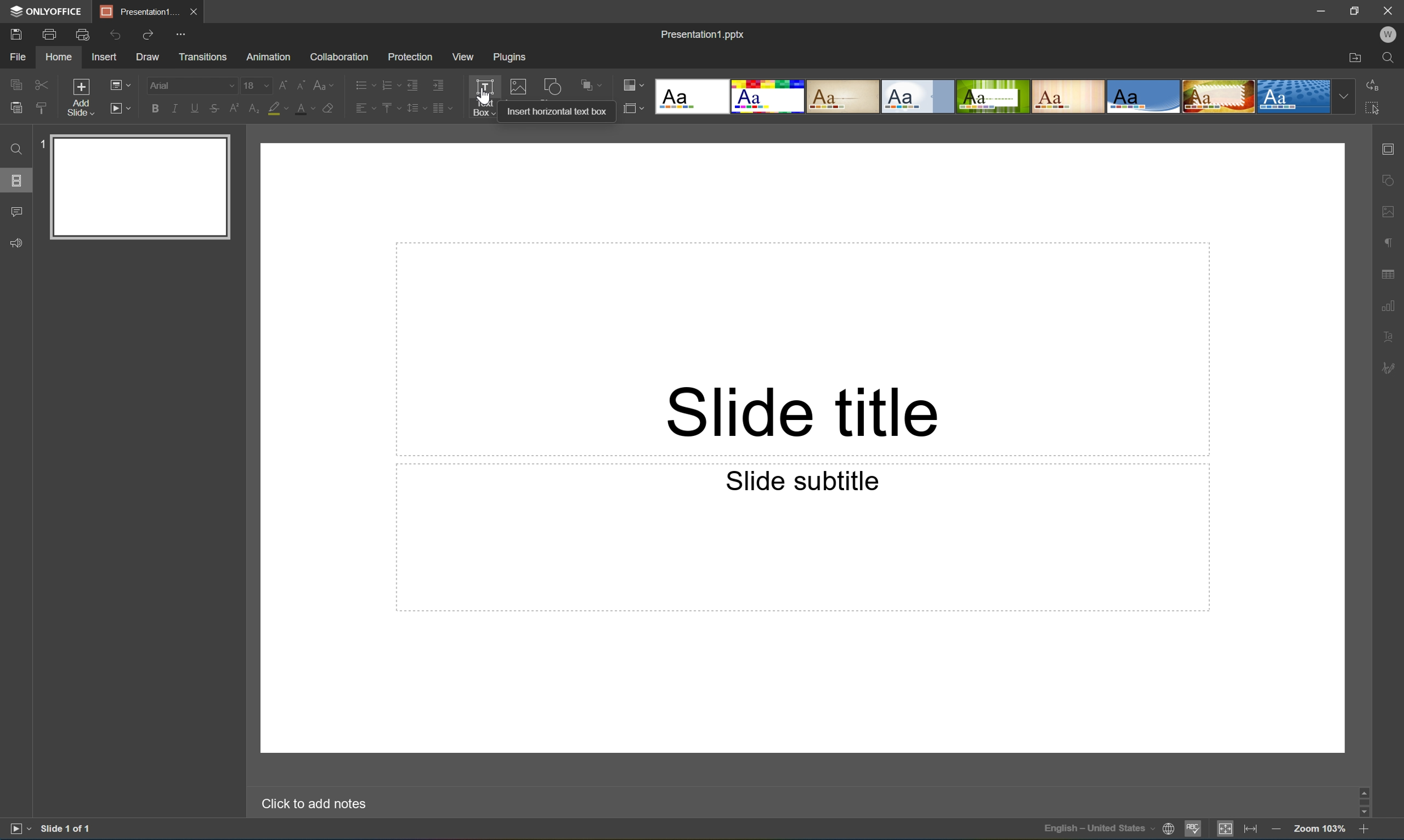 This screenshot has height=840, width=1404. What do you see at coordinates (1390, 35) in the screenshot?
I see `W` at bounding box center [1390, 35].